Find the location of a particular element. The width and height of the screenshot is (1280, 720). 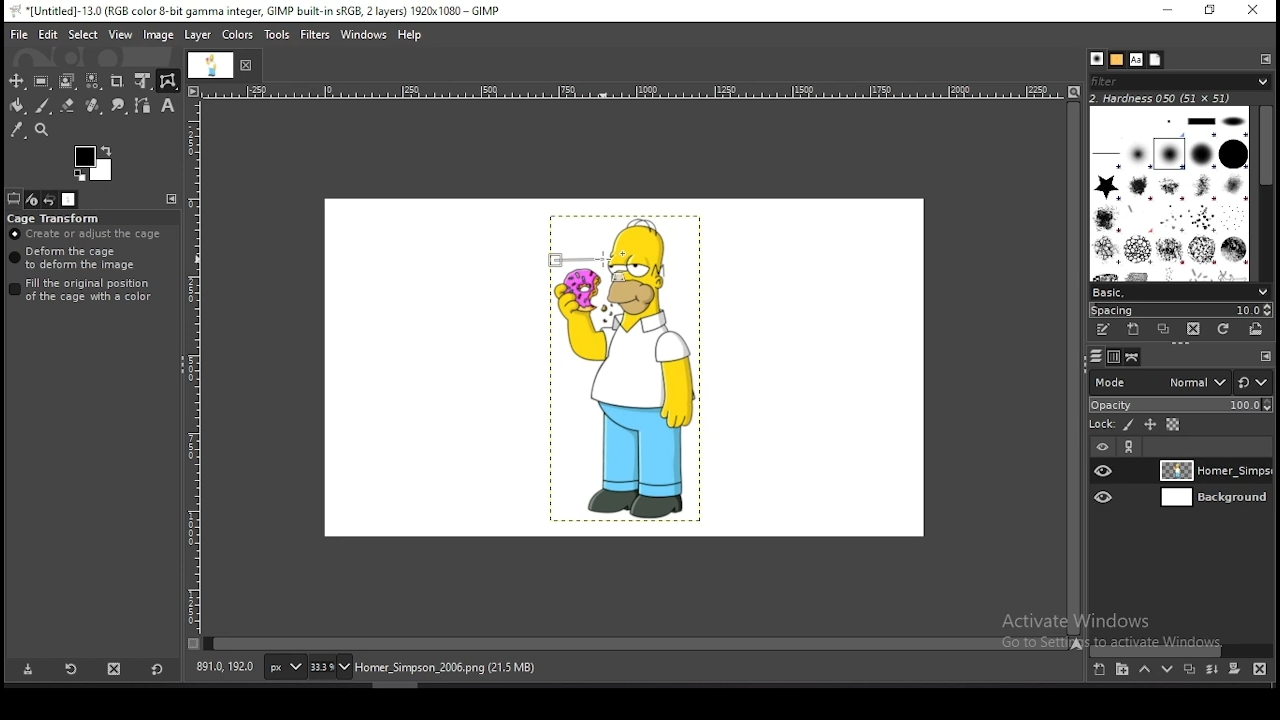

layer is located at coordinates (1213, 471).